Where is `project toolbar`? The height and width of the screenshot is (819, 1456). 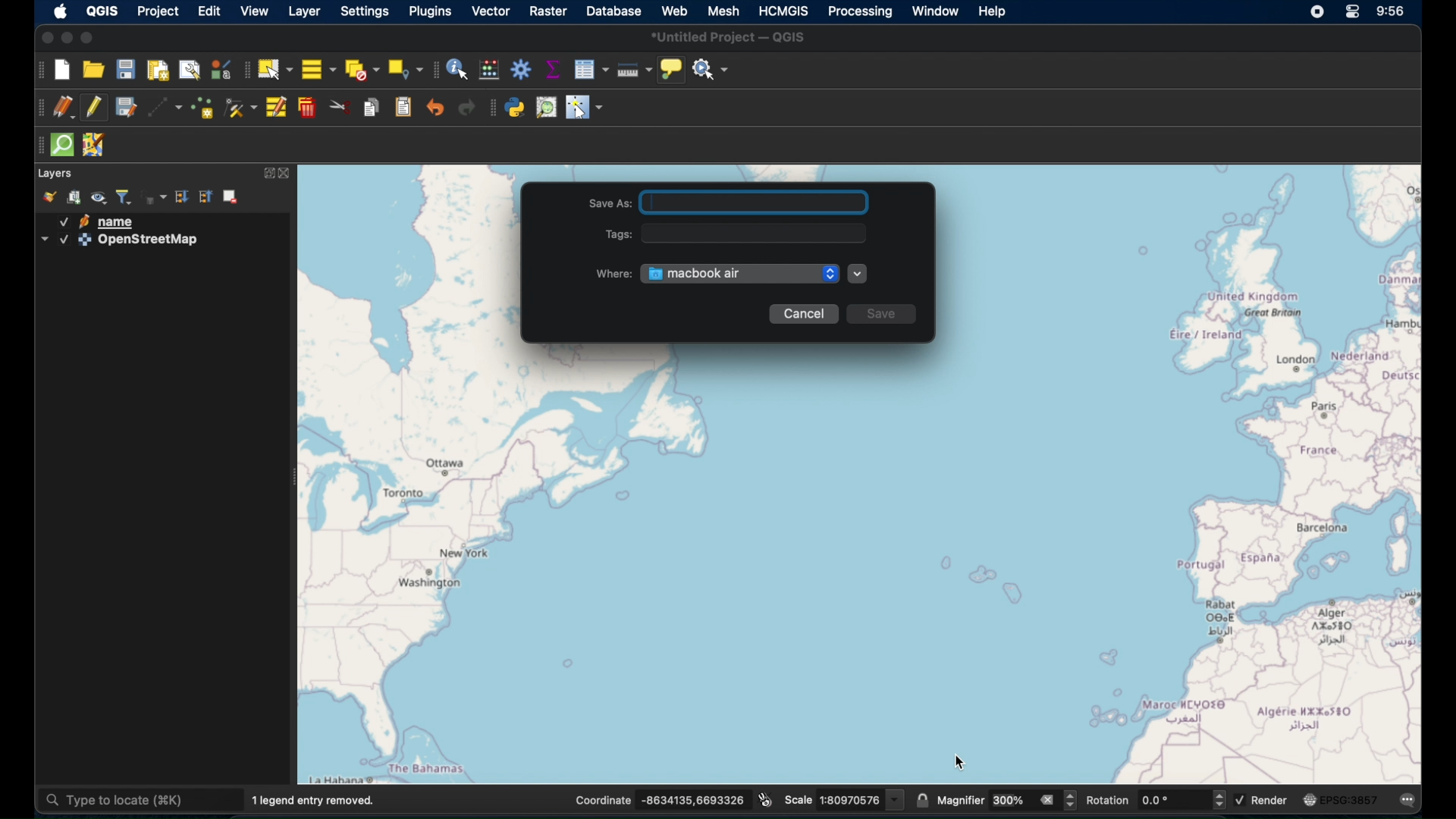 project toolbar is located at coordinates (38, 70).